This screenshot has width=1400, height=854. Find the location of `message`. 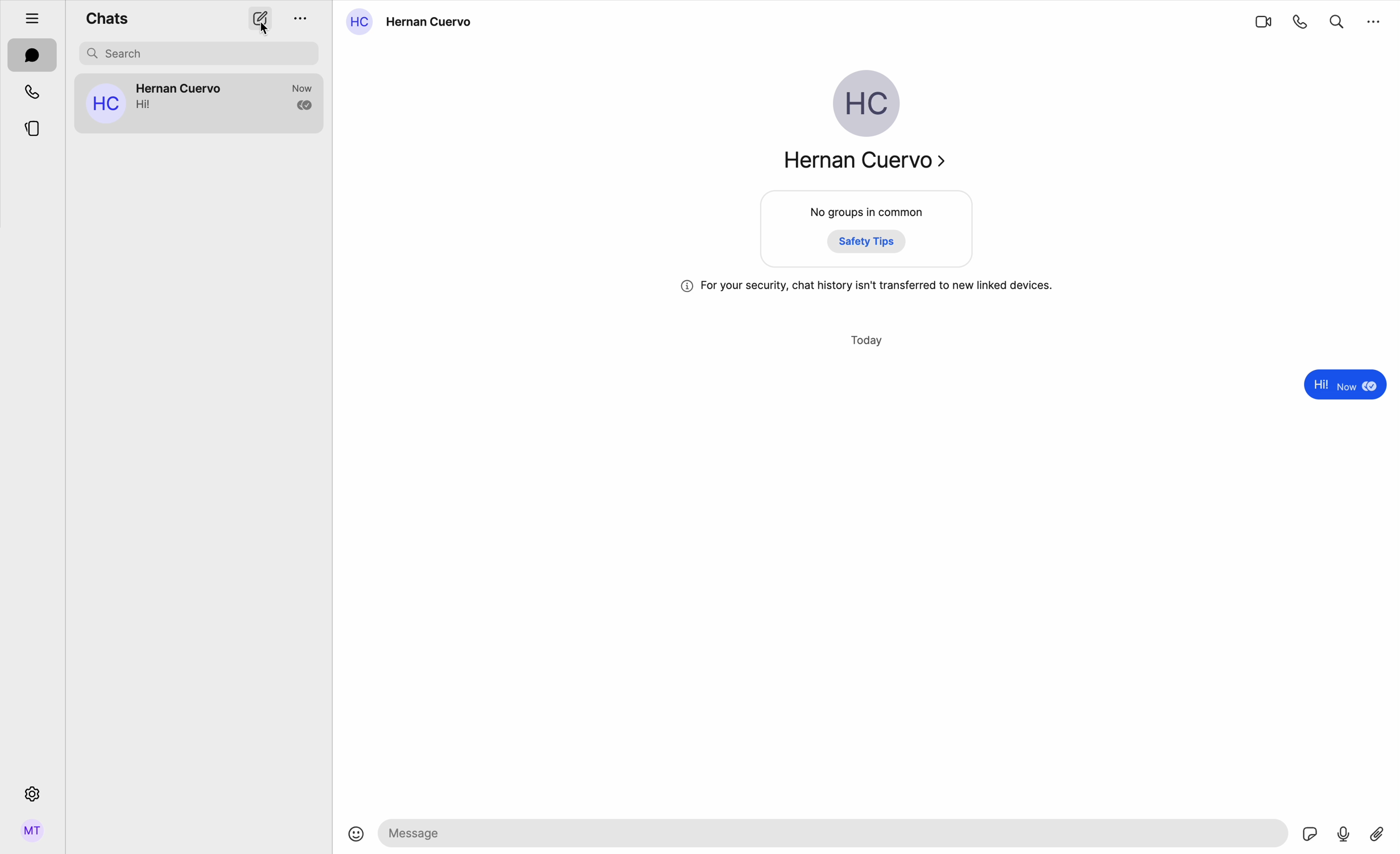

message is located at coordinates (1348, 384).